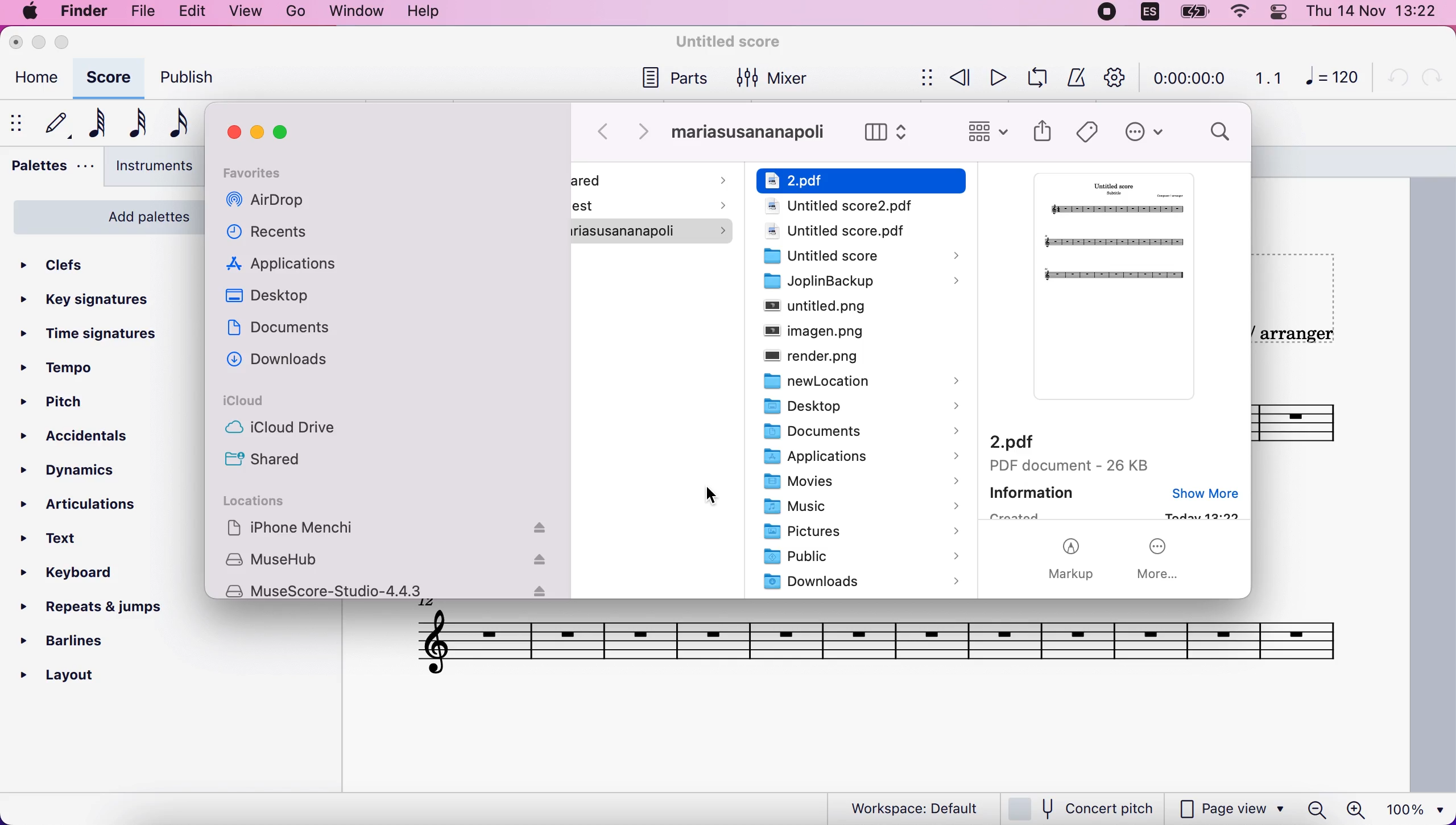  What do you see at coordinates (389, 591) in the screenshot?
I see `8 MuseScore-Studio-4.4.3 a` at bounding box center [389, 591].